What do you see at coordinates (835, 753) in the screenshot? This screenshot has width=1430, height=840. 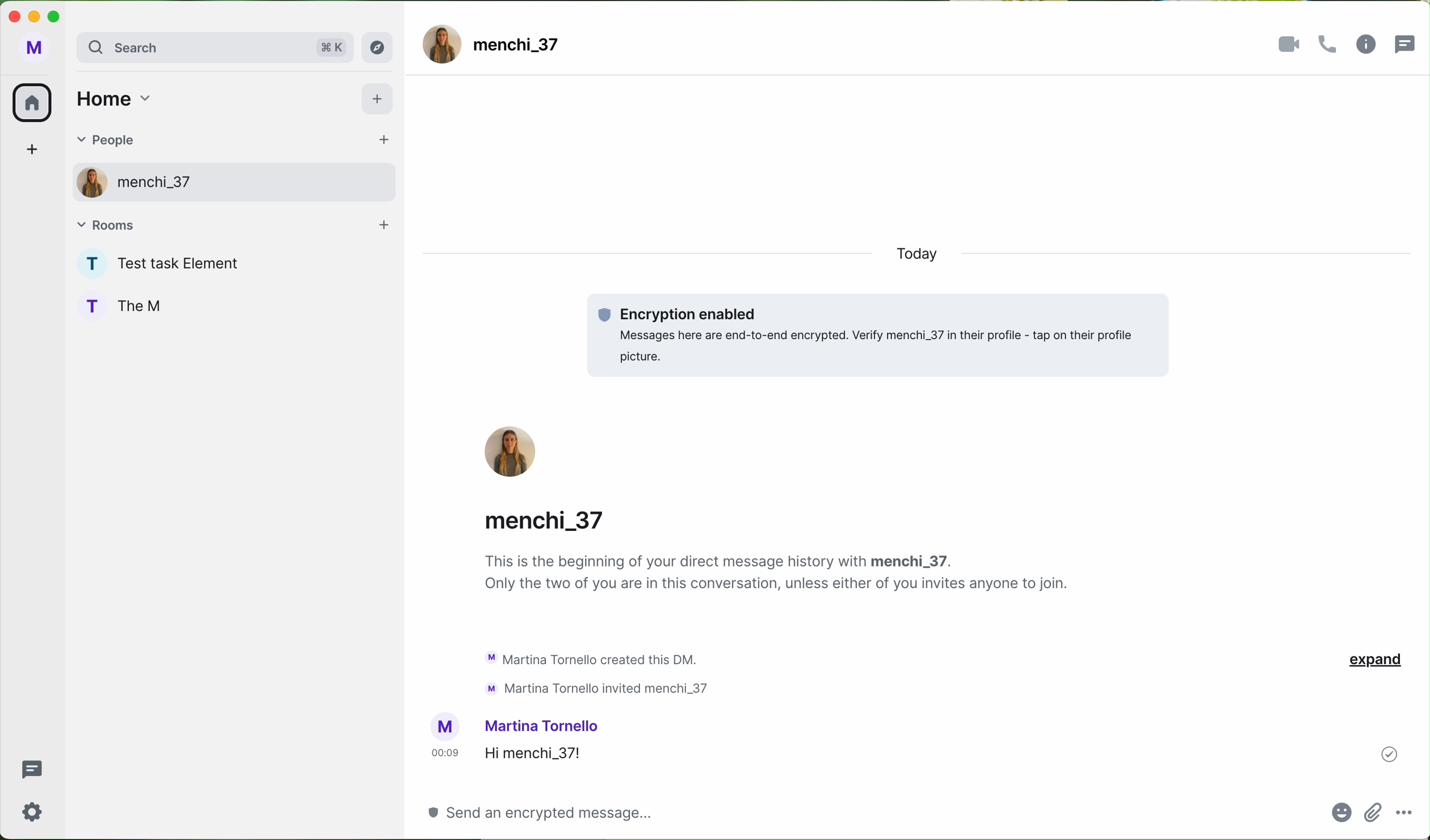 I see `message sent` at bounding box center [835, 753].